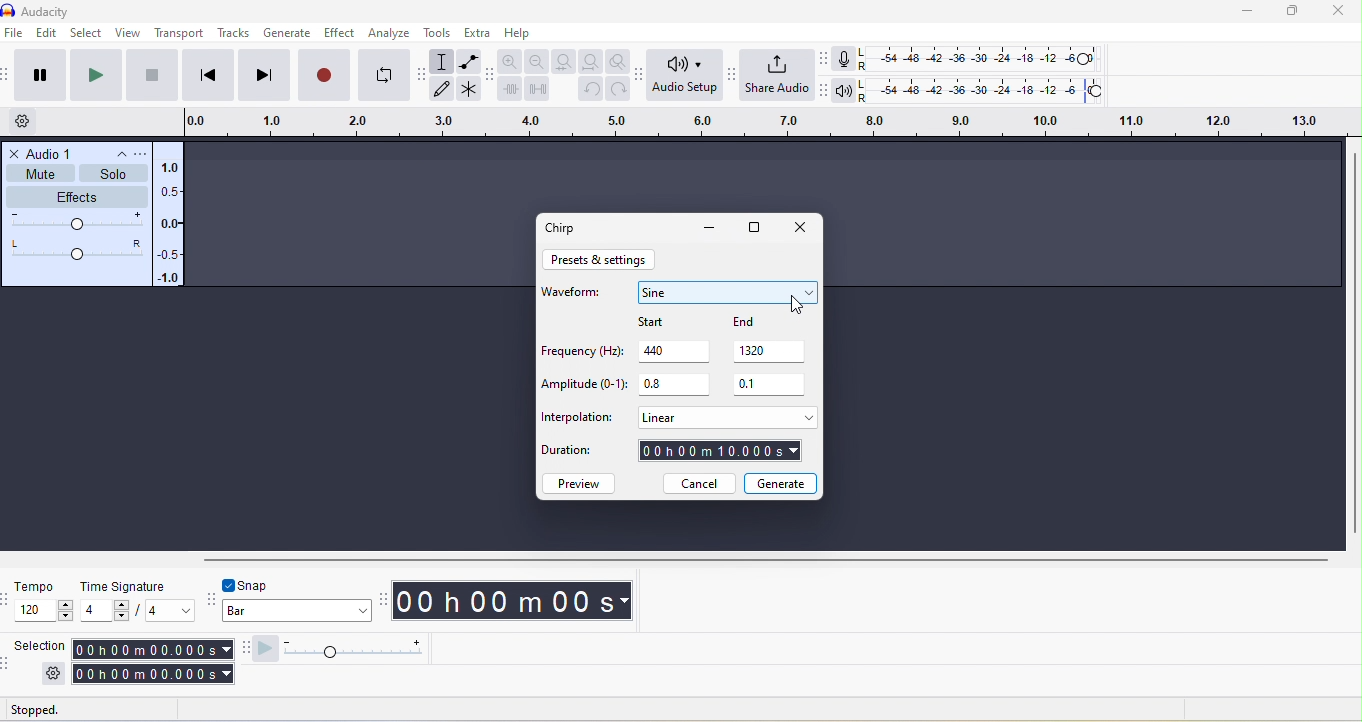  What do you see at coordinates (137, 611) in the screenshot?
I see `4/4` at bounding box center [137, 611].